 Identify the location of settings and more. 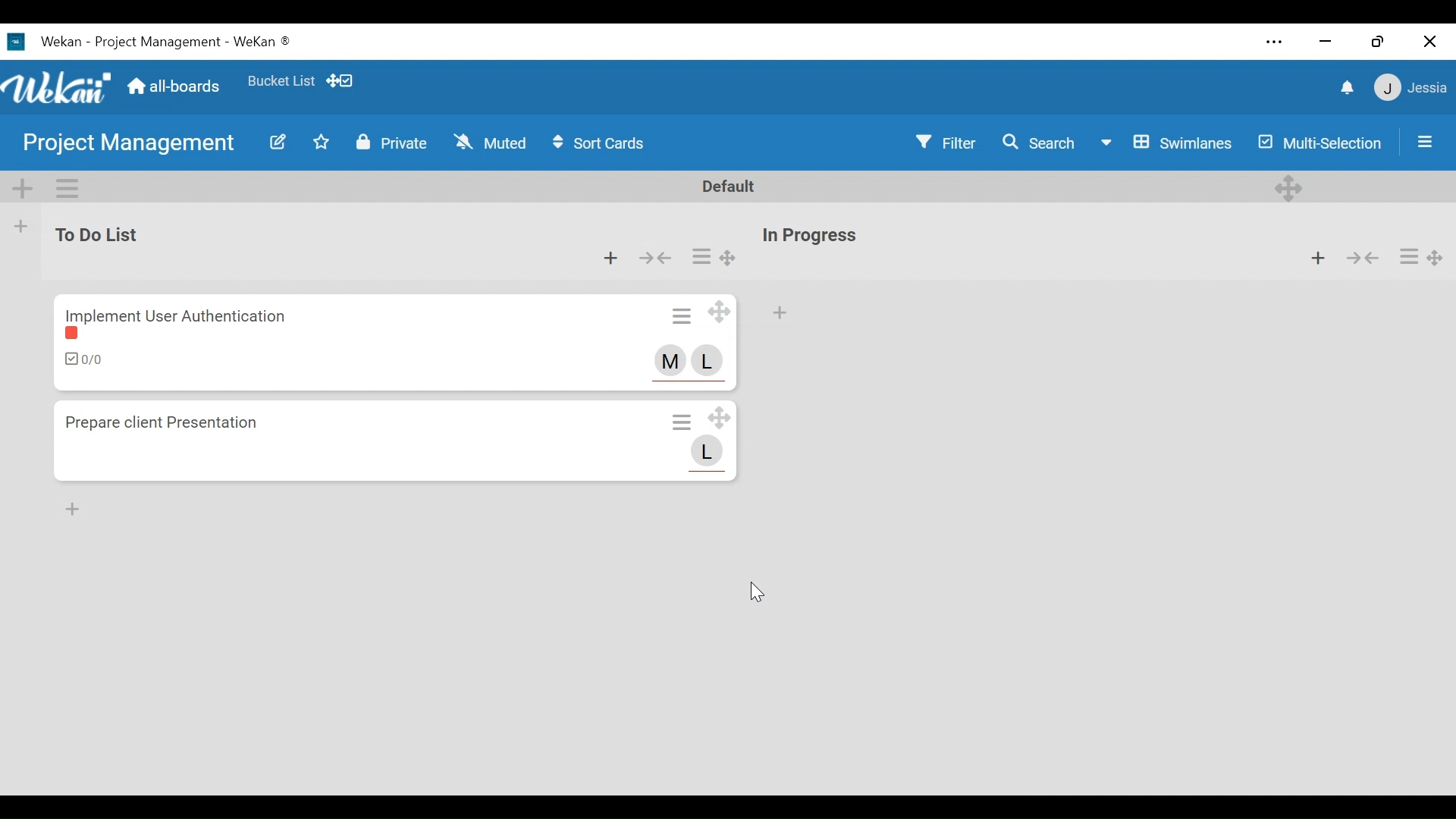
(1273, 42).